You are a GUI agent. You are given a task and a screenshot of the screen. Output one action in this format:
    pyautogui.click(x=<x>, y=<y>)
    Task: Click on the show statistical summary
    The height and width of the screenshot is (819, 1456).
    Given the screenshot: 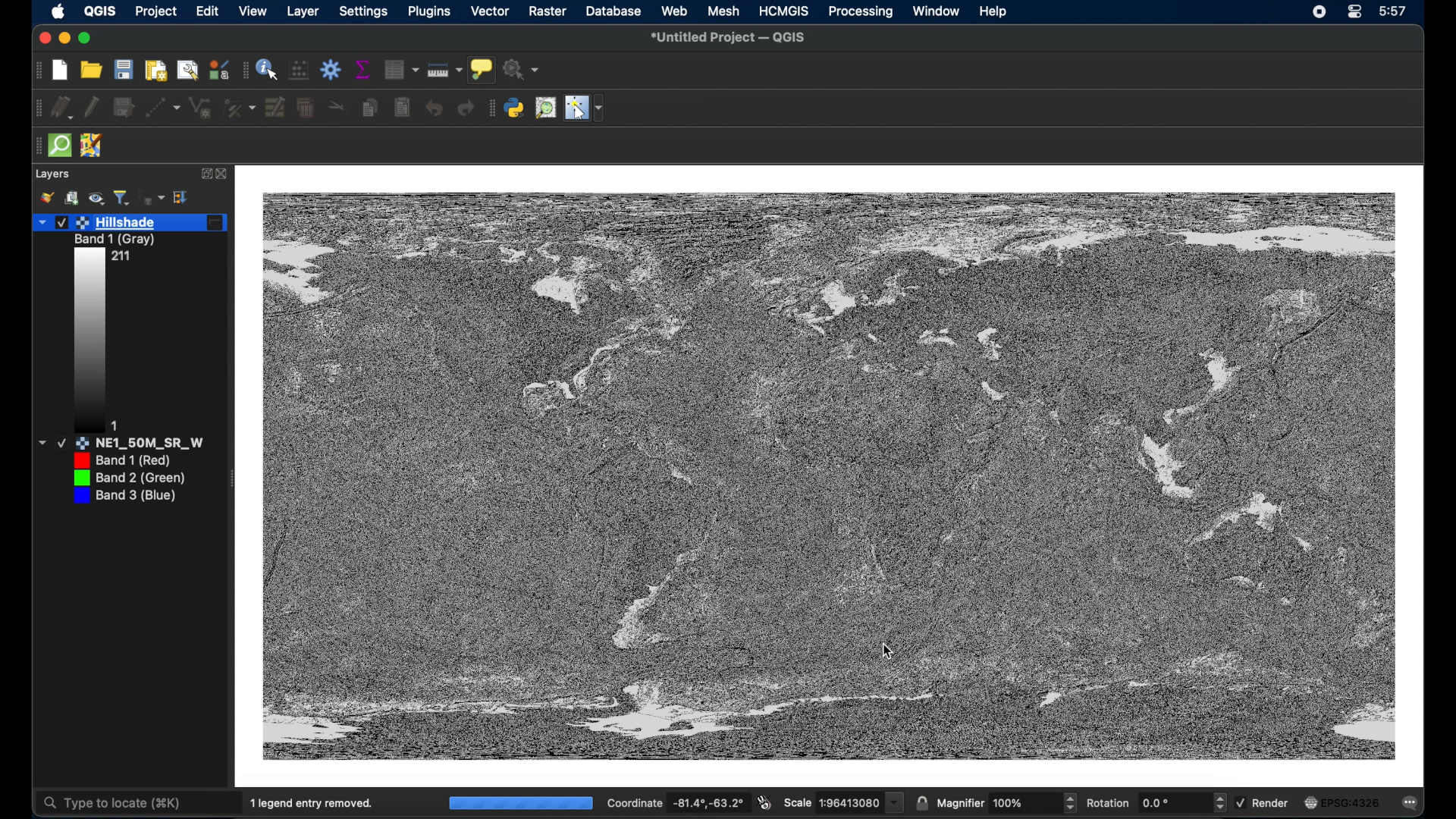 What is the action you would take?
    pyautogui.click(x=362, y=69)
    